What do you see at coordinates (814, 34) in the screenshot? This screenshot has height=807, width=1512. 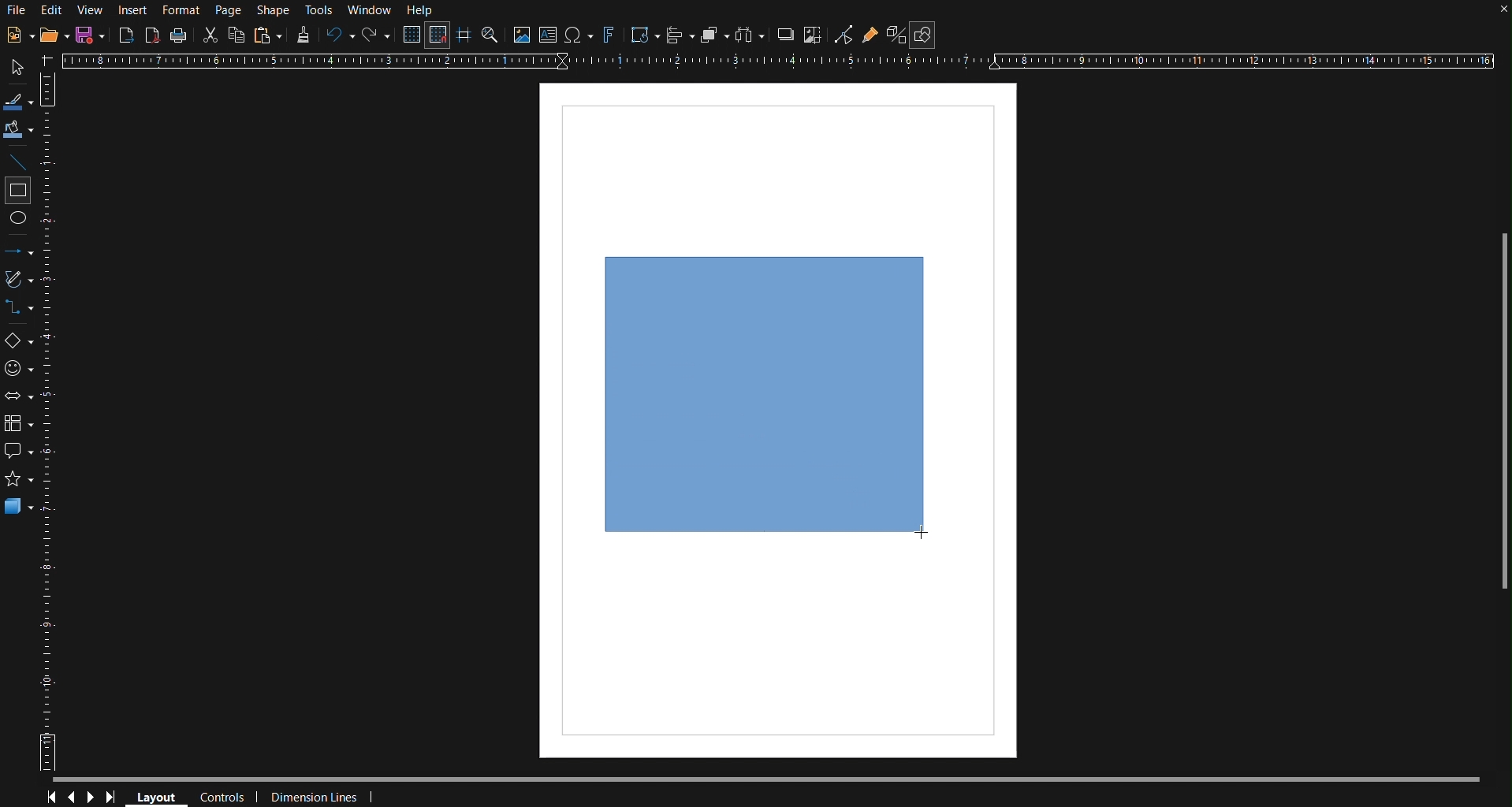 I see `Crop Images` at bounding box center [814, 34].